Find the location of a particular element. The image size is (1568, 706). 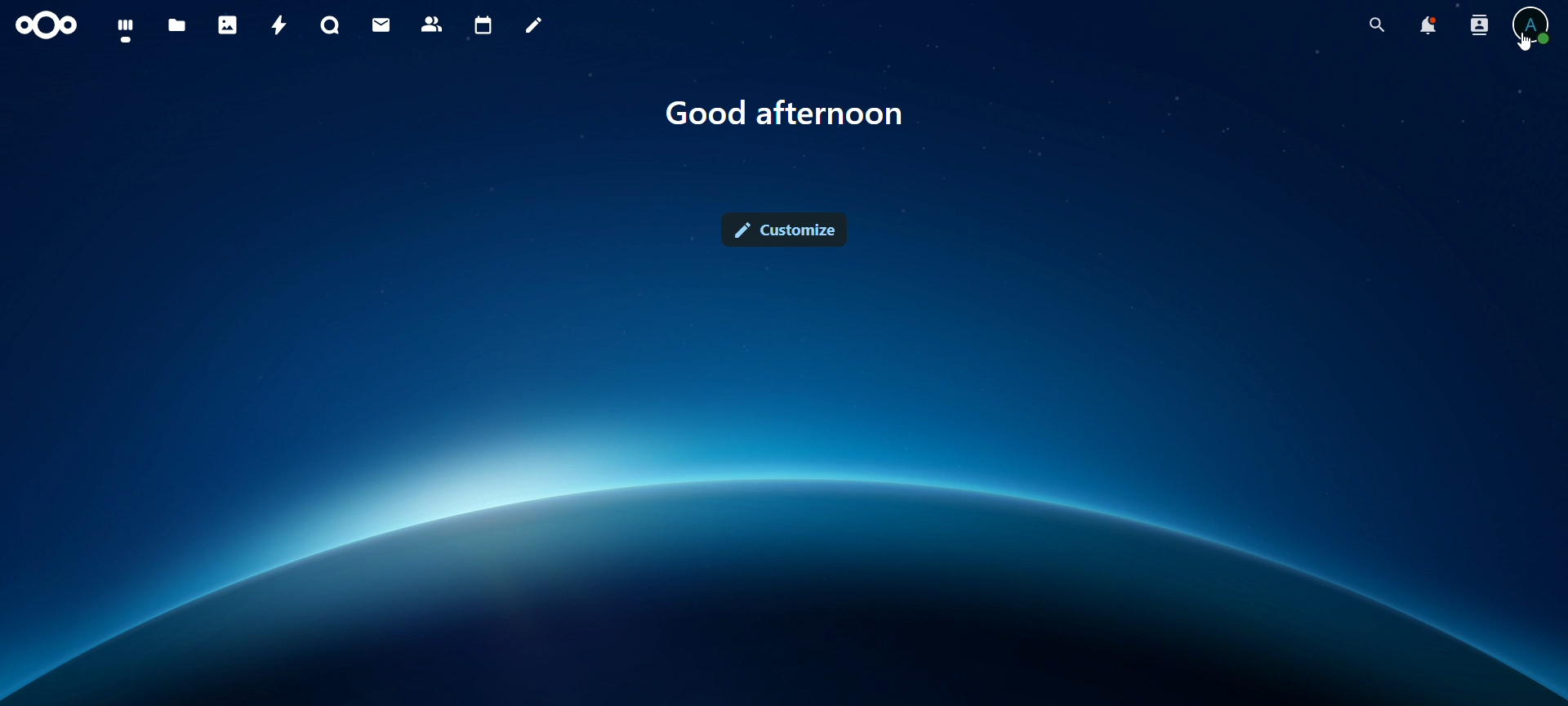

Cursor is located at coordinates (1531, 44).